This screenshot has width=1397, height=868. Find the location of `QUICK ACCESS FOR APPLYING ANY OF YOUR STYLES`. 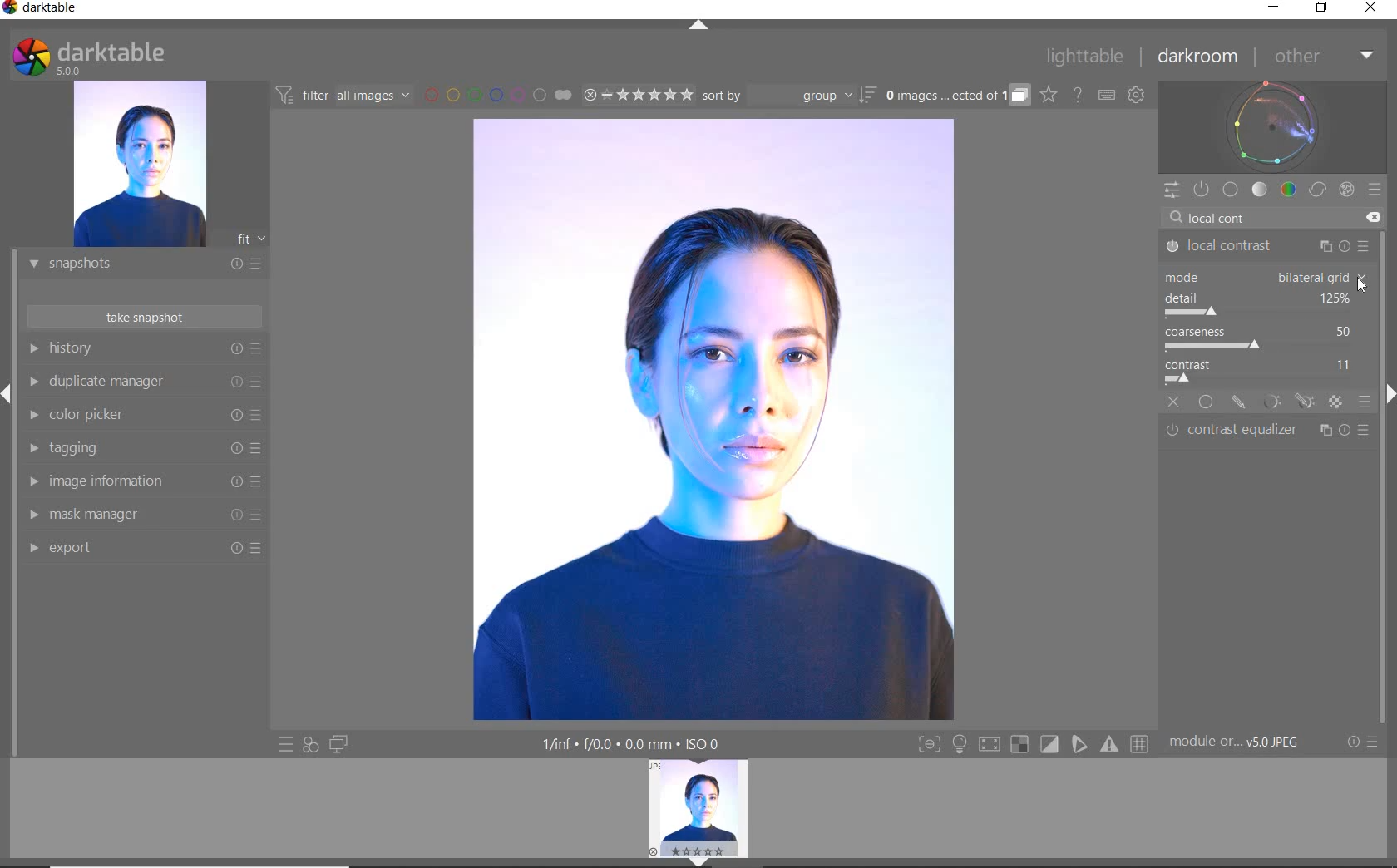

QUICK ACCESS FOR APPLYING ANY OF YOUR STYLES is located at coordinates (309, 744).